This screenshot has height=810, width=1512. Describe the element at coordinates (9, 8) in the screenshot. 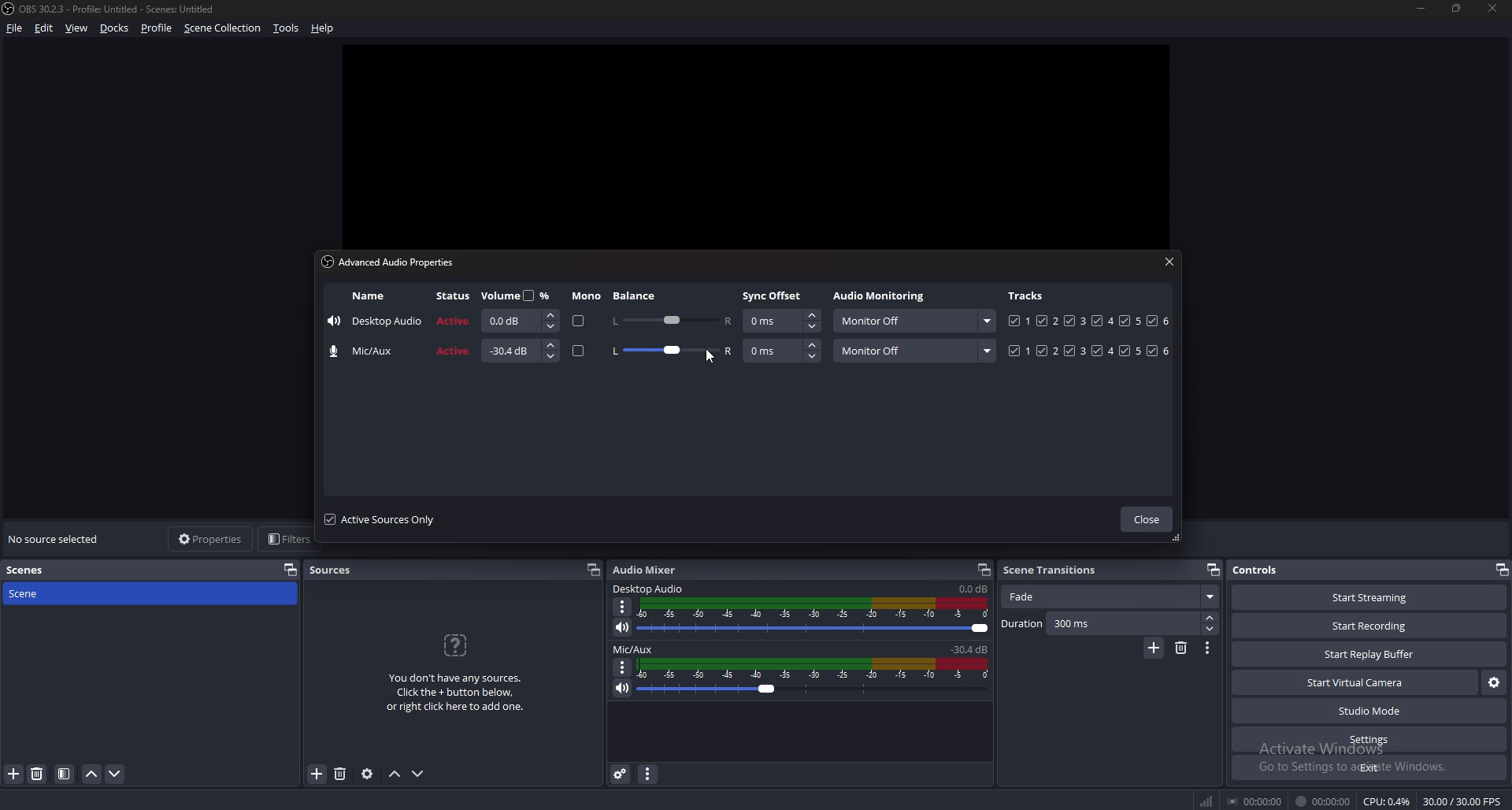

I see `obs logo` at that location.